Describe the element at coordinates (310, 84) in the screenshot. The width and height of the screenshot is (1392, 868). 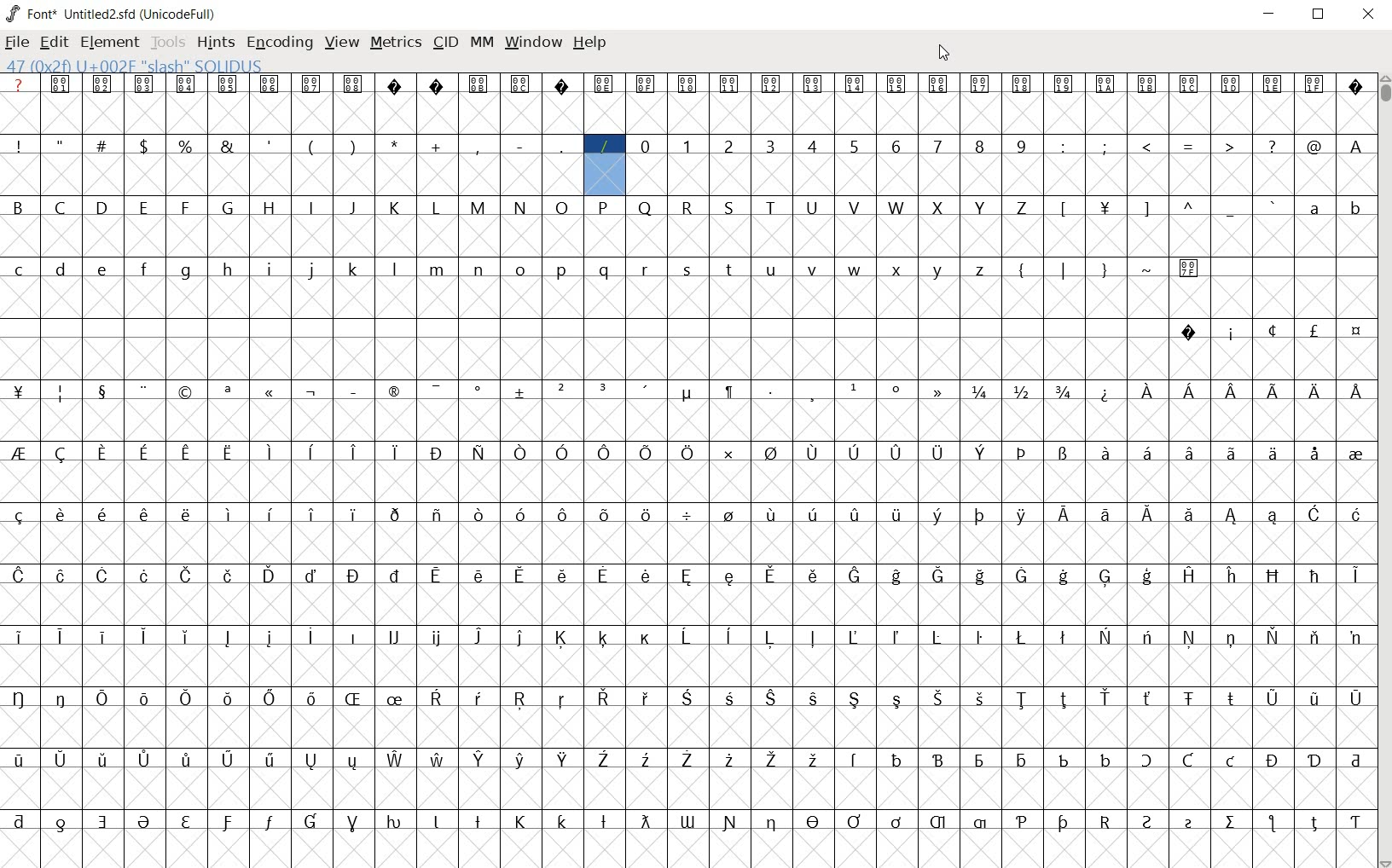
I see `glyph` at that location.